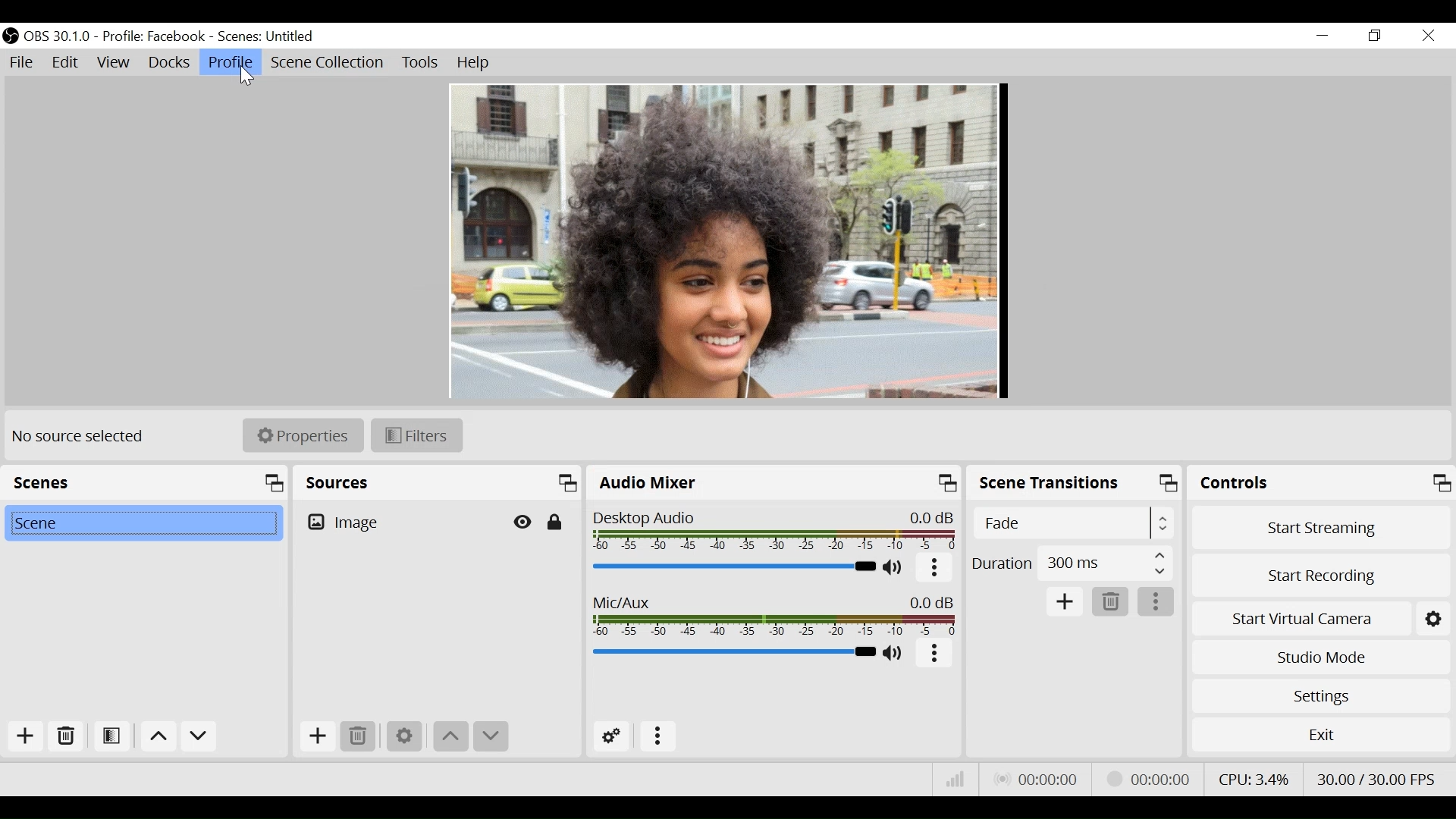 The image size is (1456, 819). I want to click on Start Streaming, so click(1321, 526).